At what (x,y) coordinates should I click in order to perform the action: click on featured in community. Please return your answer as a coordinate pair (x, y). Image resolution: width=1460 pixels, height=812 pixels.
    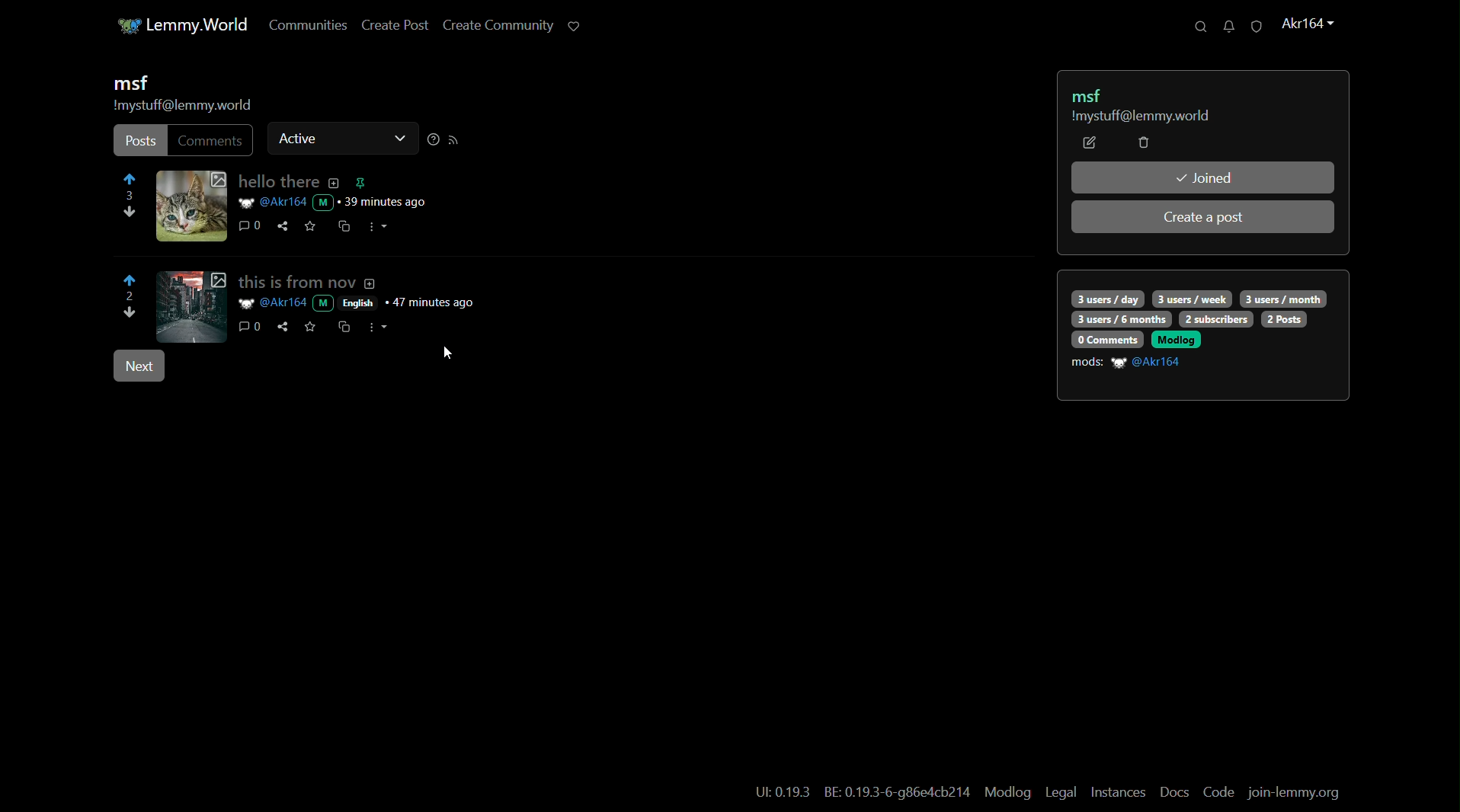
    Looking at the image, I should click on (360, 183).